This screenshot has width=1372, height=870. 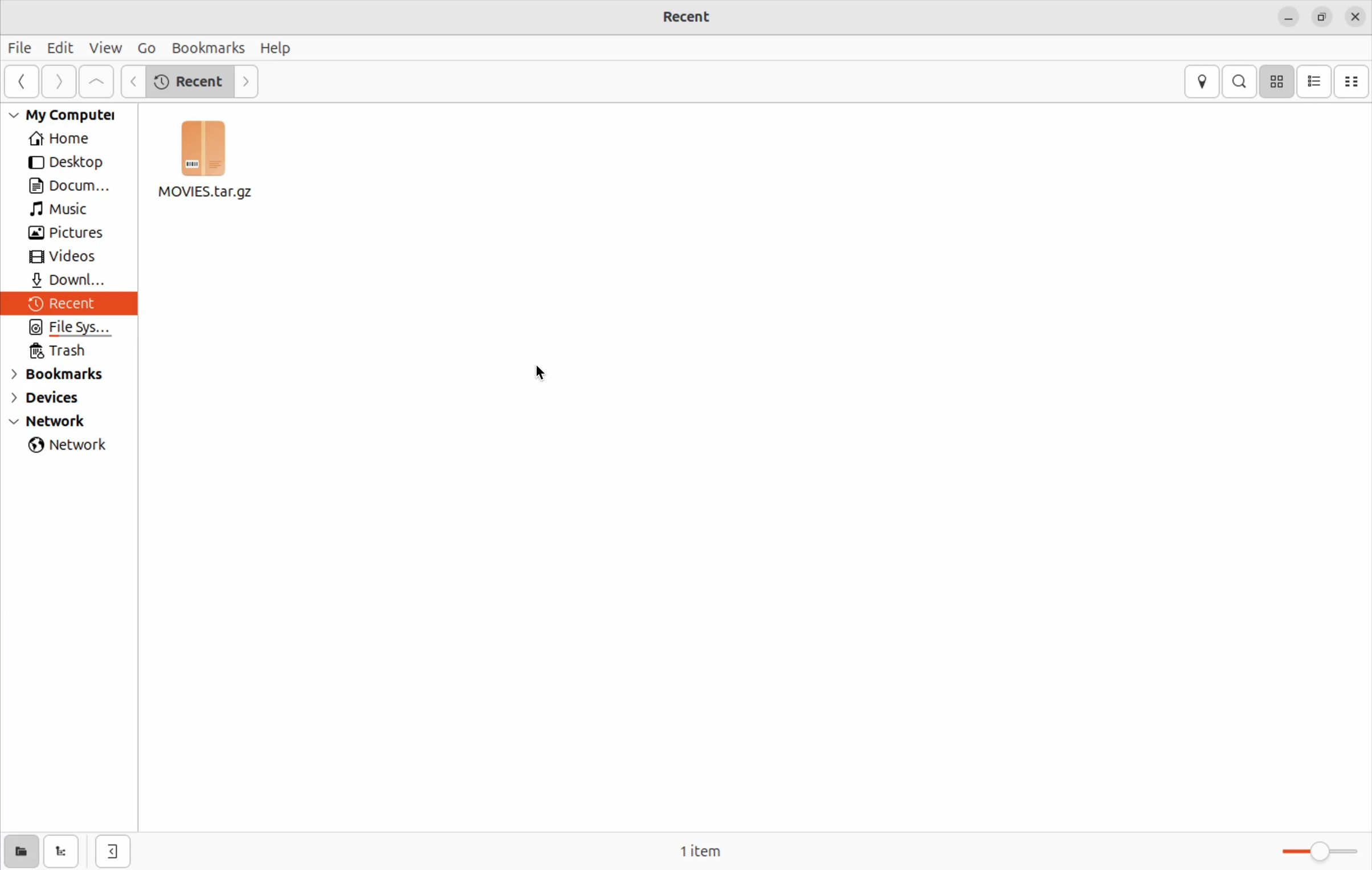 What do you see at coordinates (104, 47) in the screenshot?
I see `view` at bounding box center [104, 47].